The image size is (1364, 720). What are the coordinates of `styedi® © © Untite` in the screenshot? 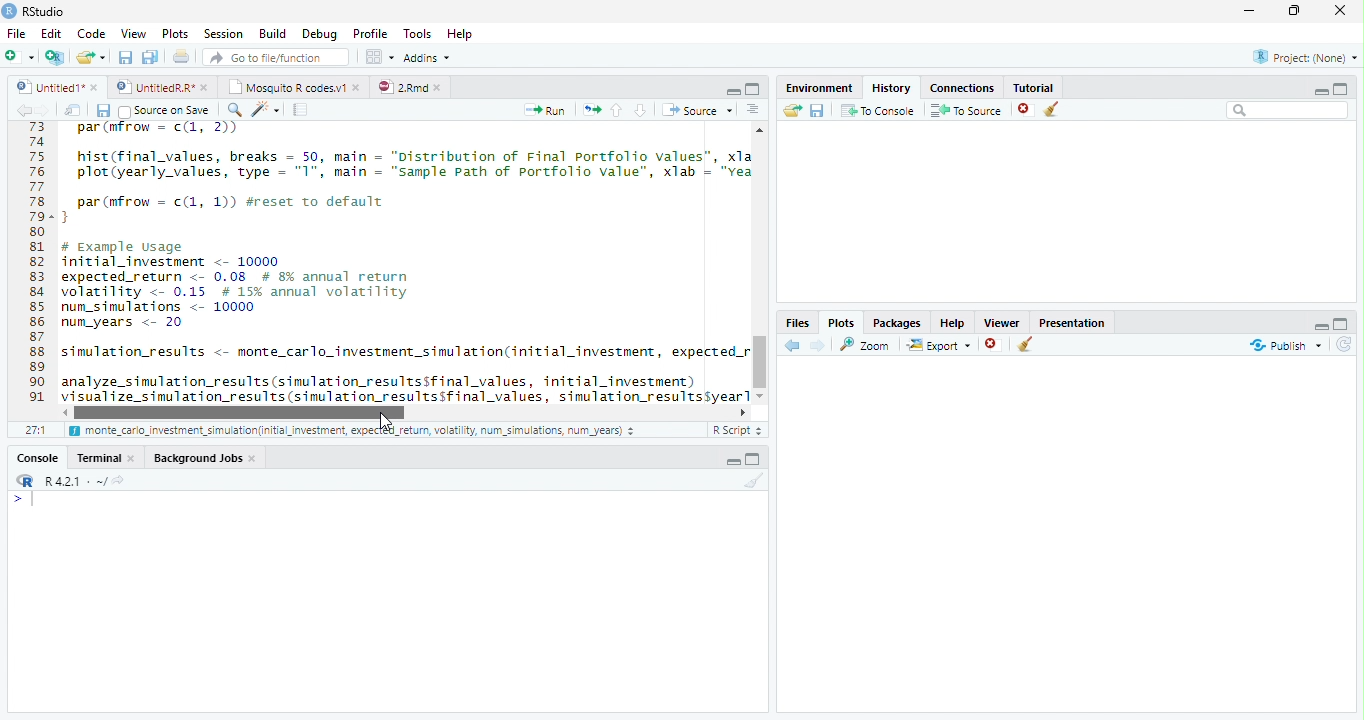 It's located at (162, 87).